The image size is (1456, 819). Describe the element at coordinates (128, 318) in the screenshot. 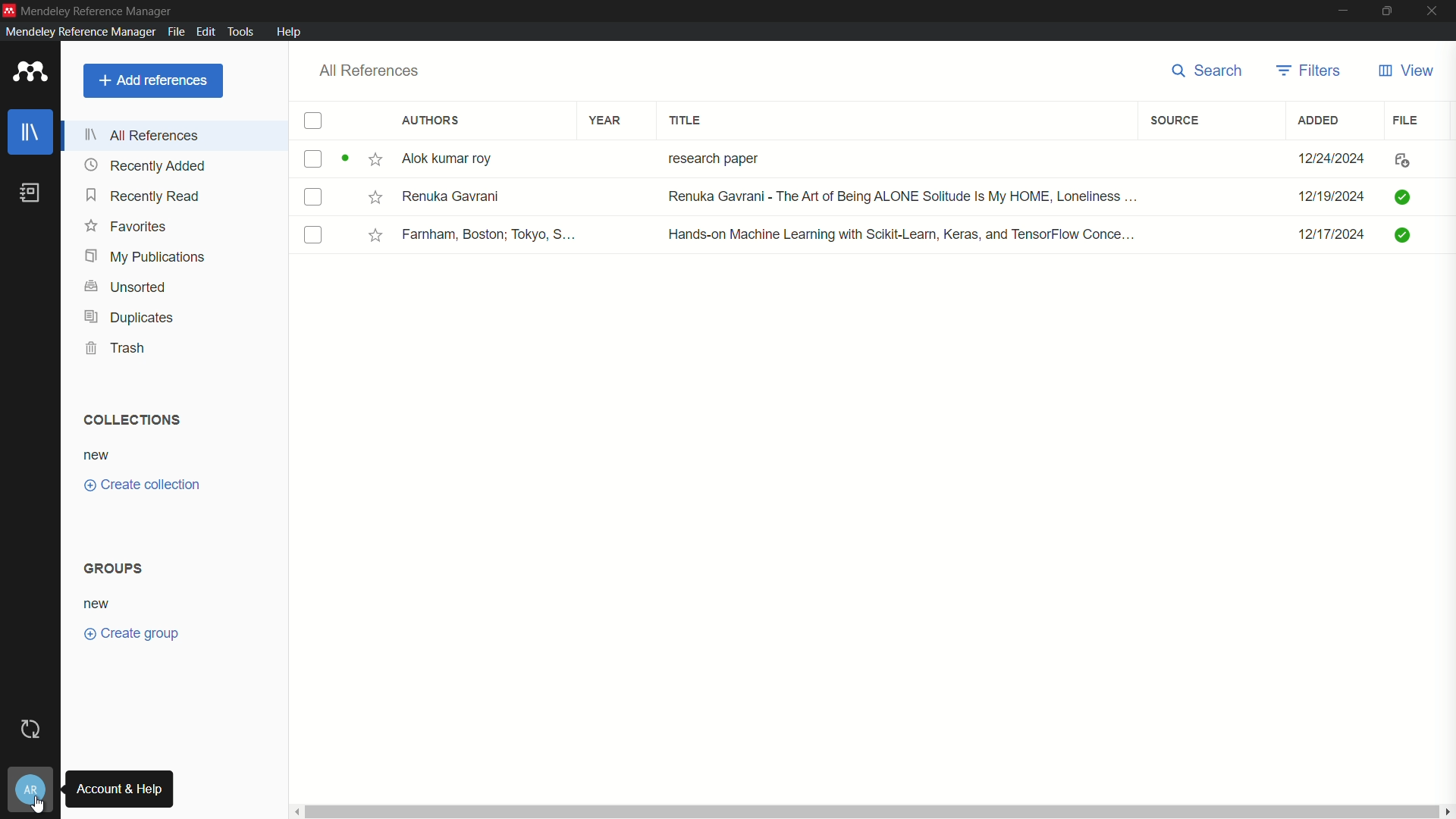

I see `duplicates` at that location.